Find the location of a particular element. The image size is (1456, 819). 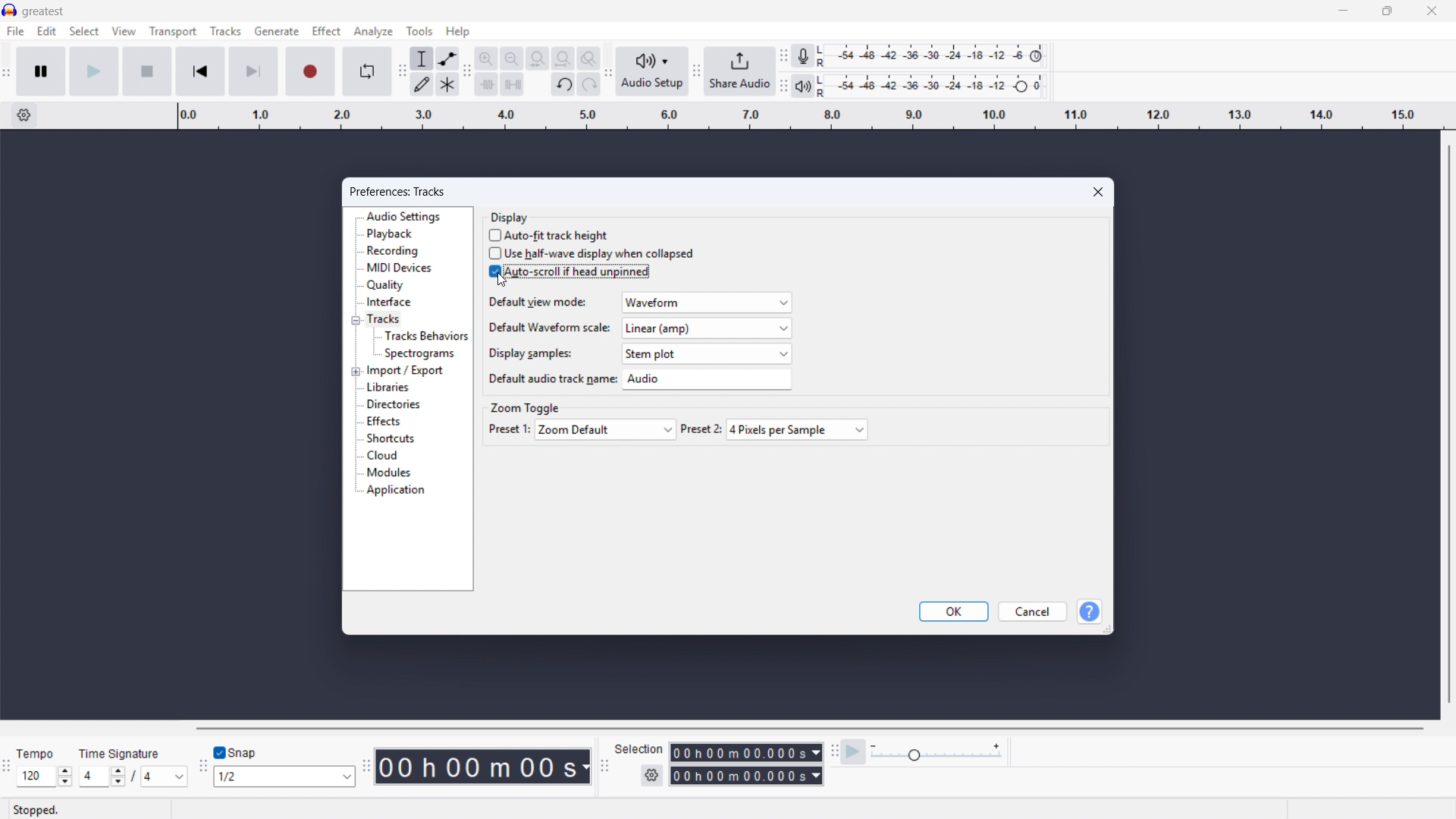

Display  is located at coordinates (510, 217).